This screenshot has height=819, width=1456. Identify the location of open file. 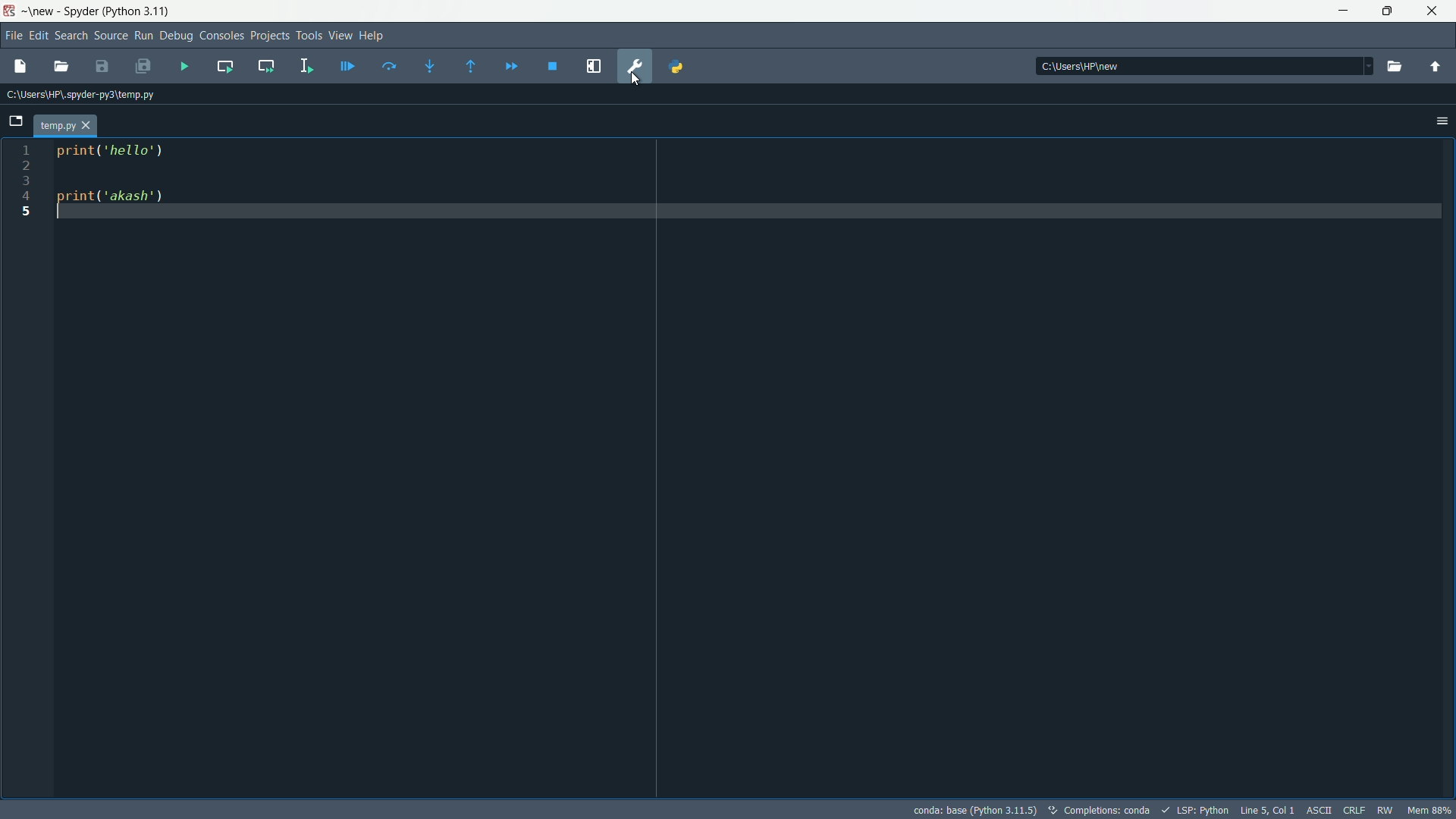
(64, 66).